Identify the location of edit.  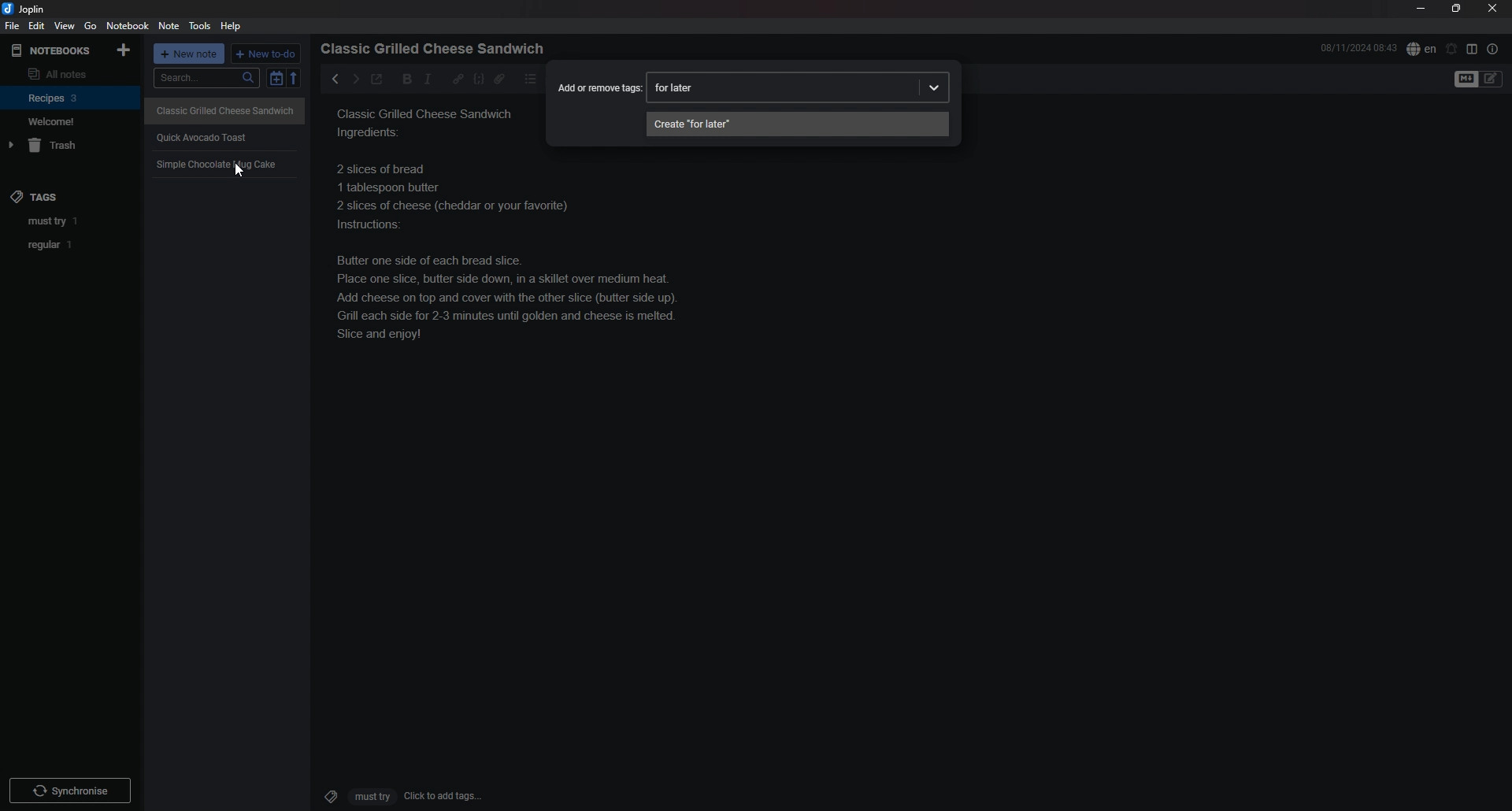
(35, 26).